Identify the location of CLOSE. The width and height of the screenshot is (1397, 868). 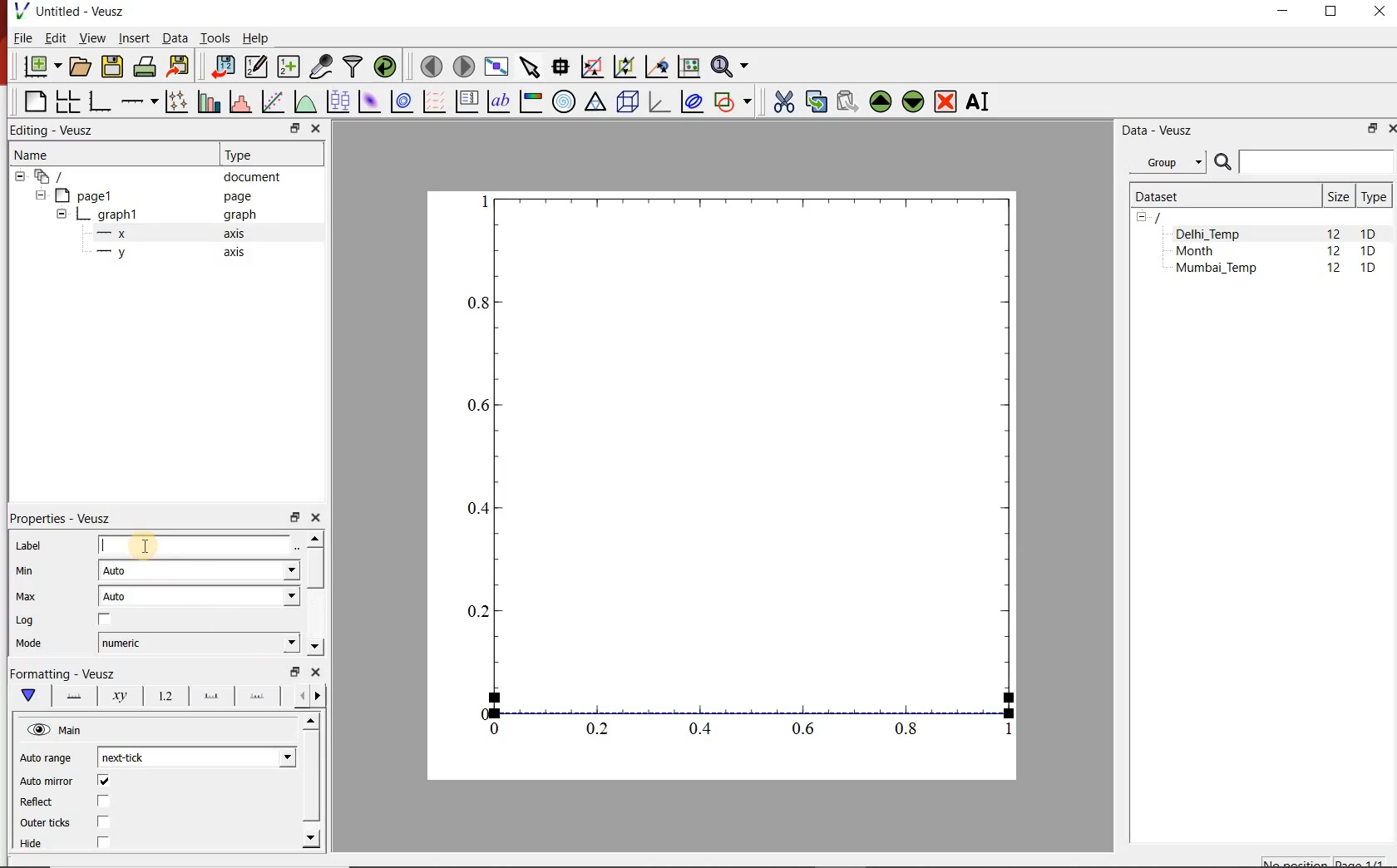
(1377, 11).